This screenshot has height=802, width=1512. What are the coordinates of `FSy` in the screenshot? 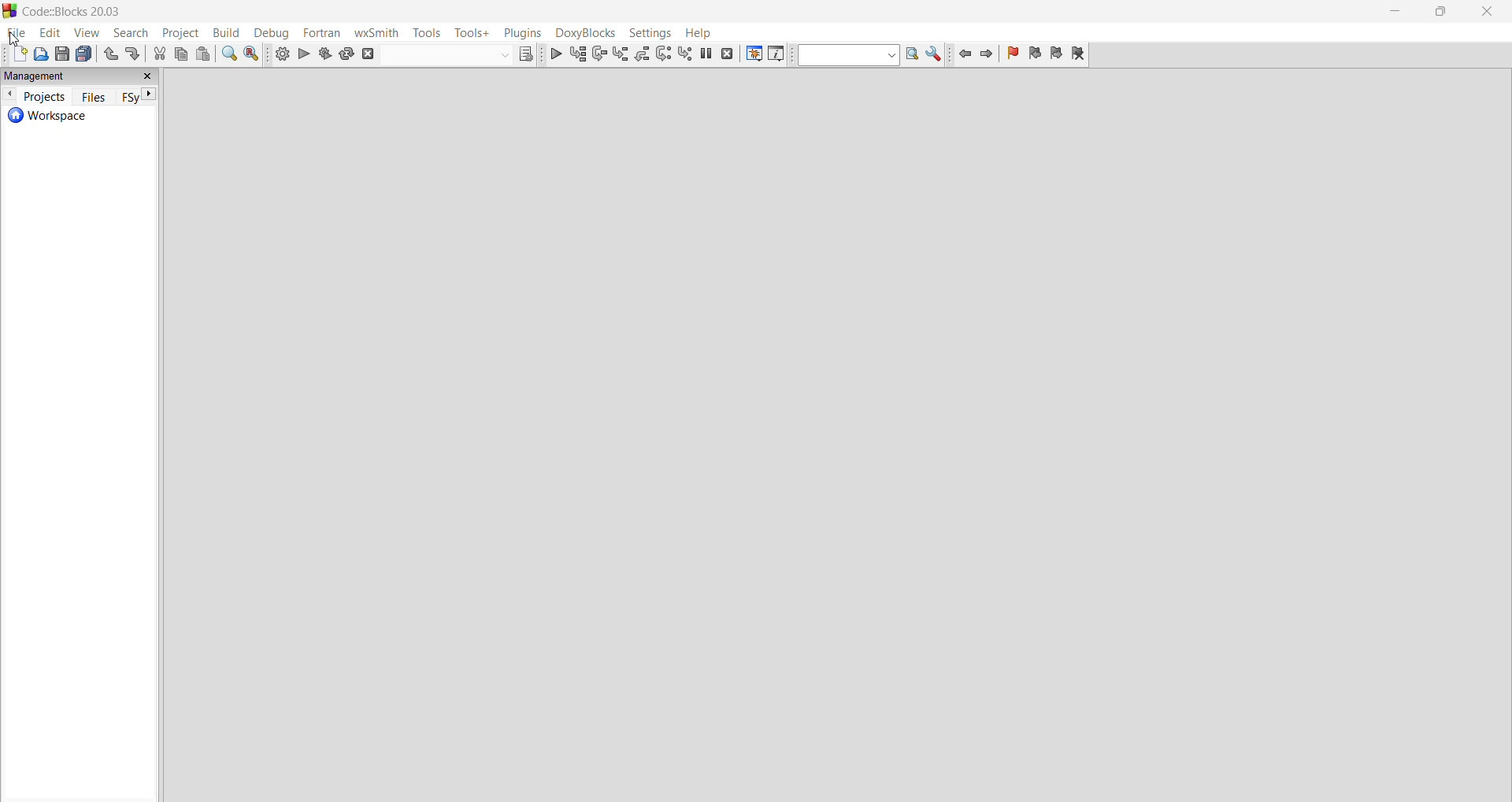 It's located at (128, 96).